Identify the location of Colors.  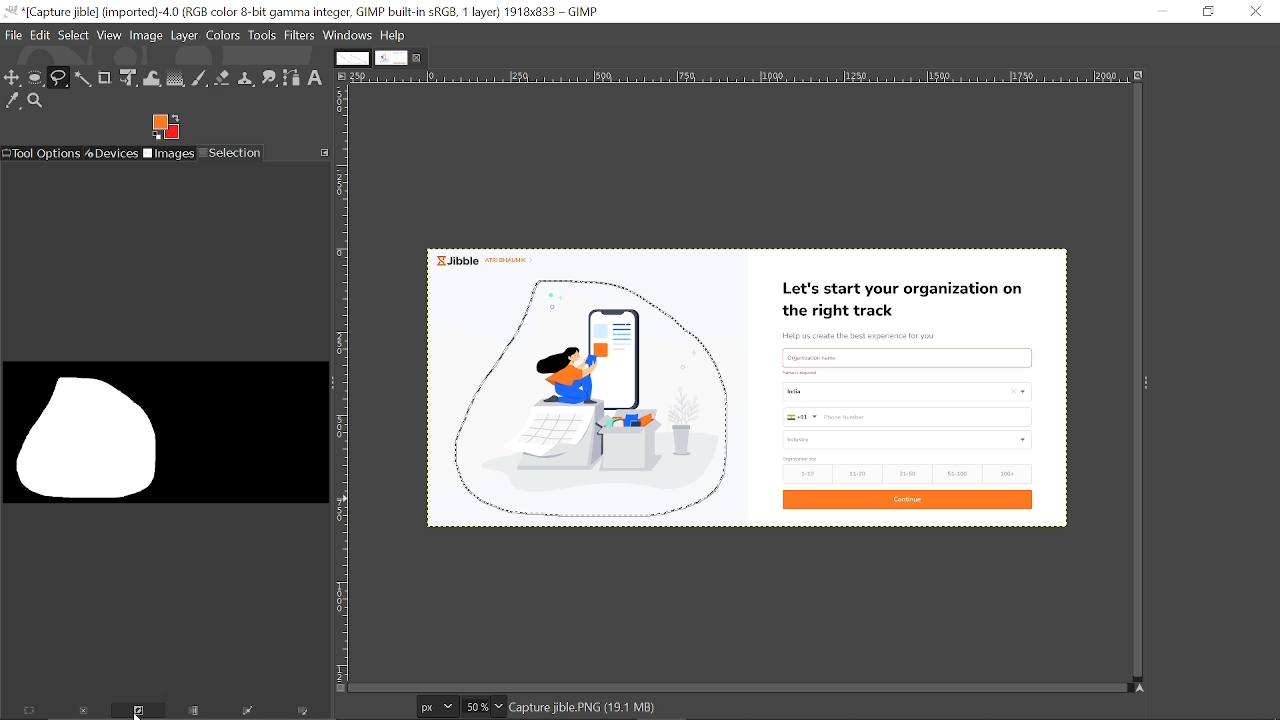
(224, 35).